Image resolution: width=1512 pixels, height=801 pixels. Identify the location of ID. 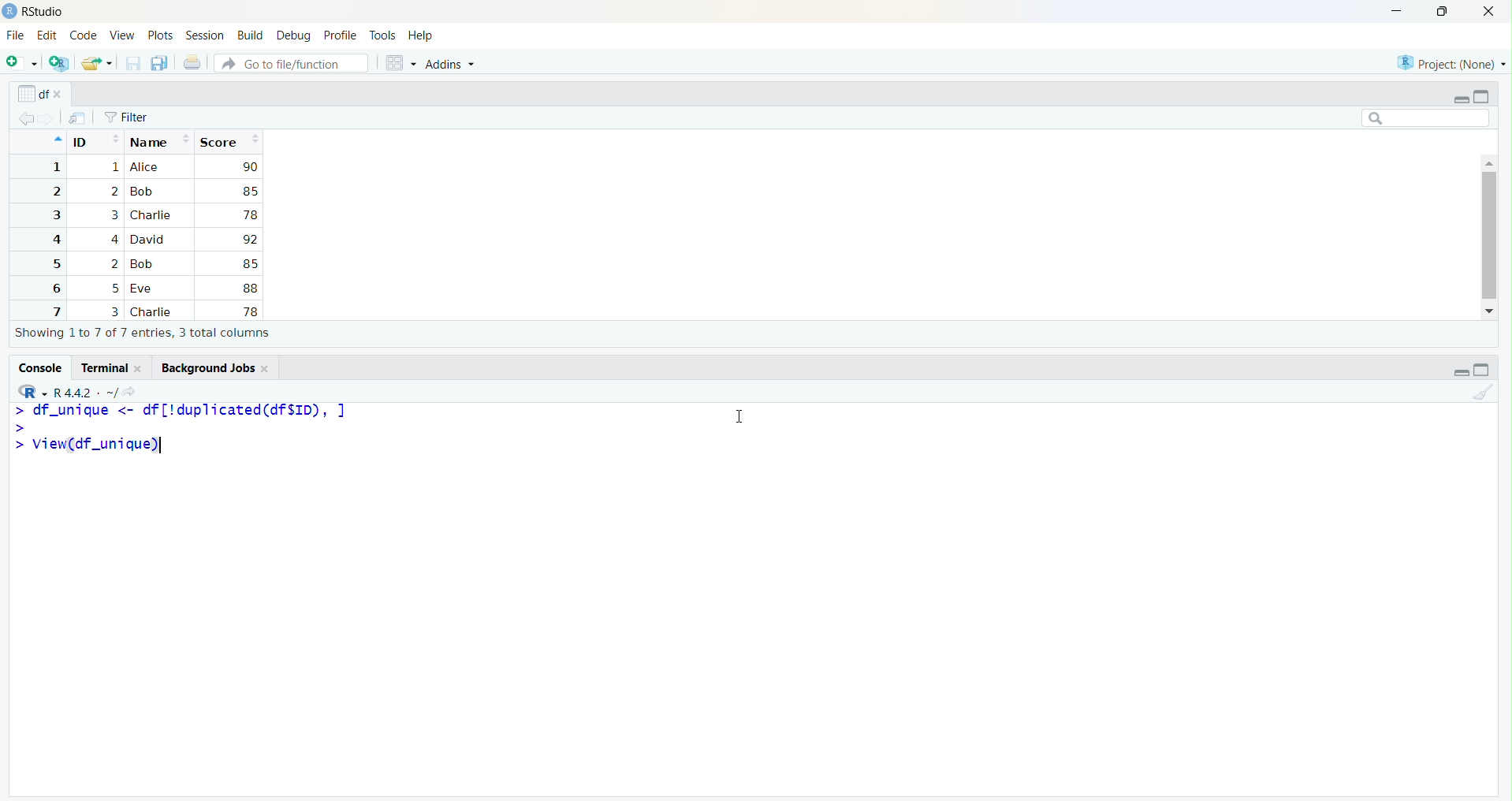
(95, 140).